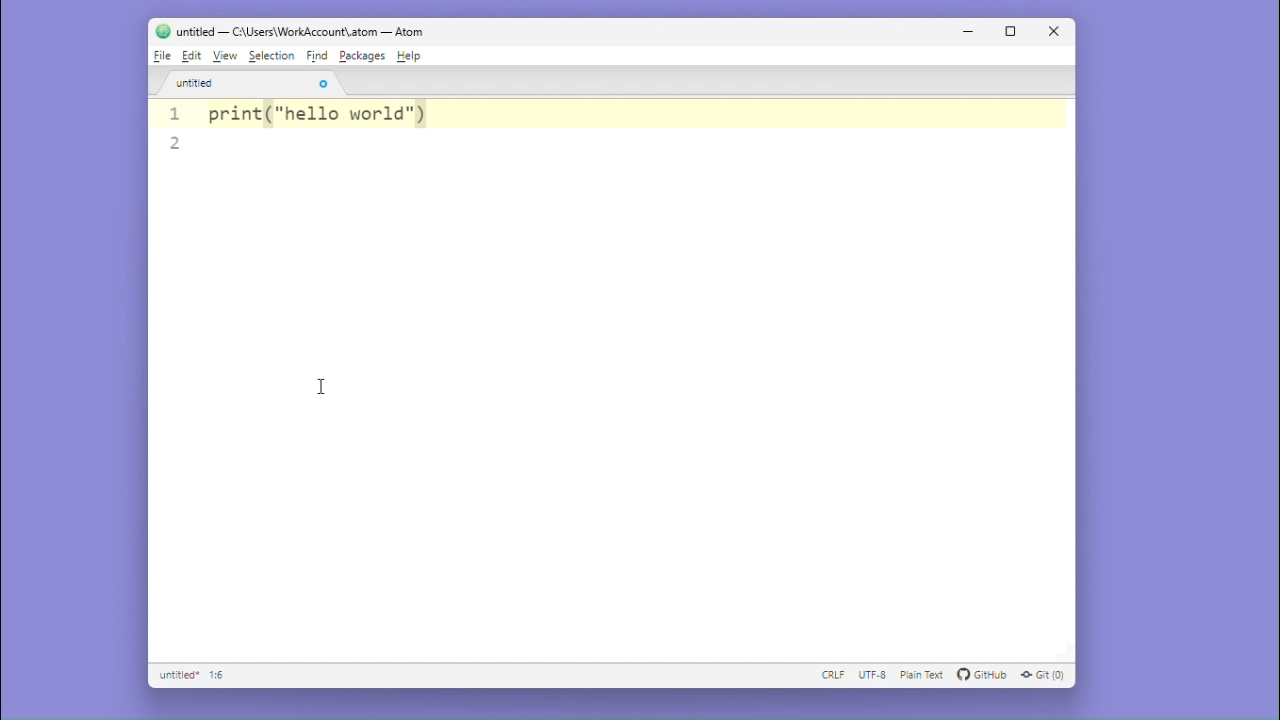 This screenshot has width=1280, height=720. What do you see at coordinates (613, 126) in the screenshot?
I see `1 print("hello world"), 2` at bounding box center [613, 126].